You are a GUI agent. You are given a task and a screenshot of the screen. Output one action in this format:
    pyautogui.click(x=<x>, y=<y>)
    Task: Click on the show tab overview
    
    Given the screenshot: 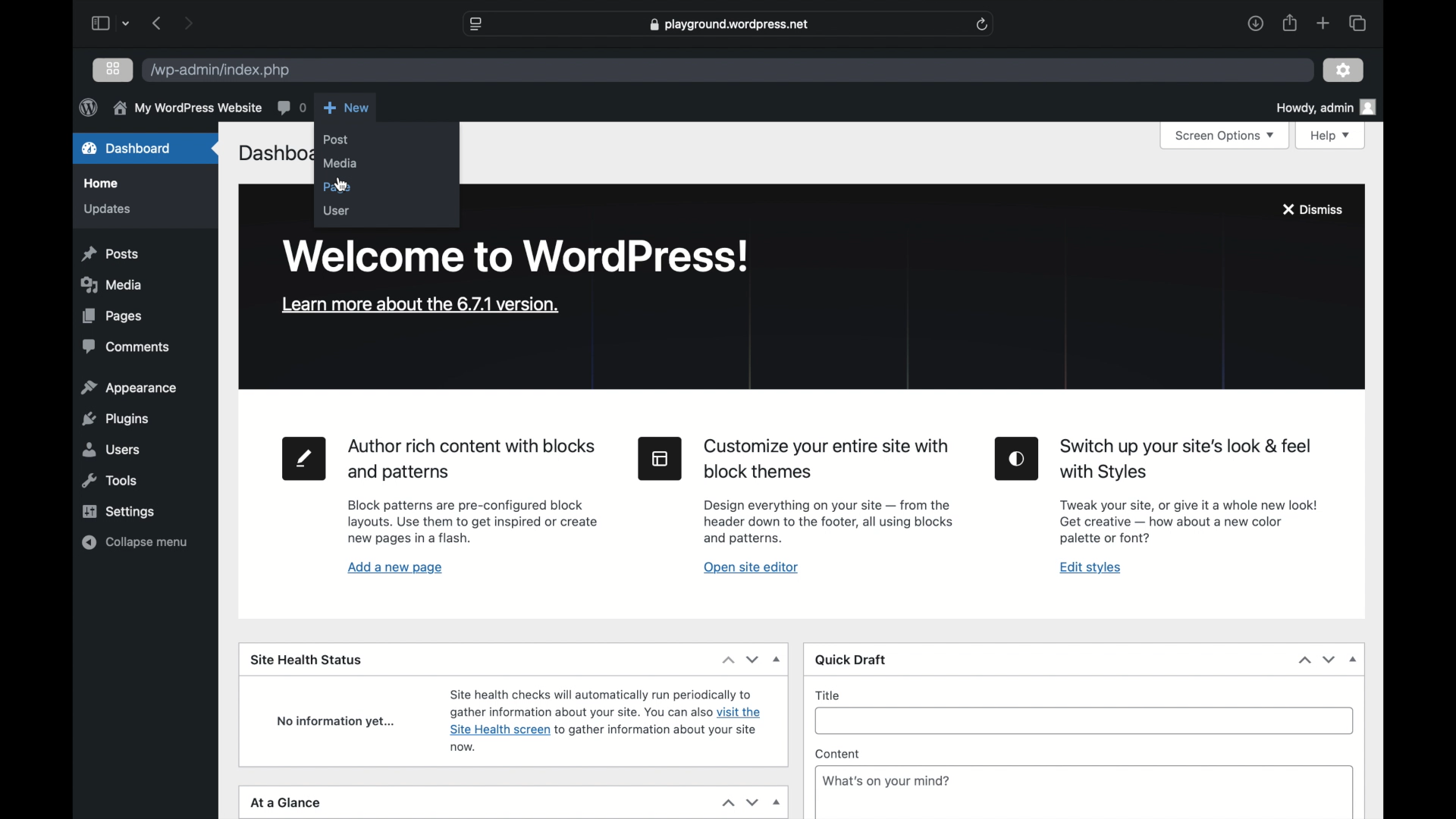 What is the action you would take?
    pyautogui.click(x=1357, y=22)
    